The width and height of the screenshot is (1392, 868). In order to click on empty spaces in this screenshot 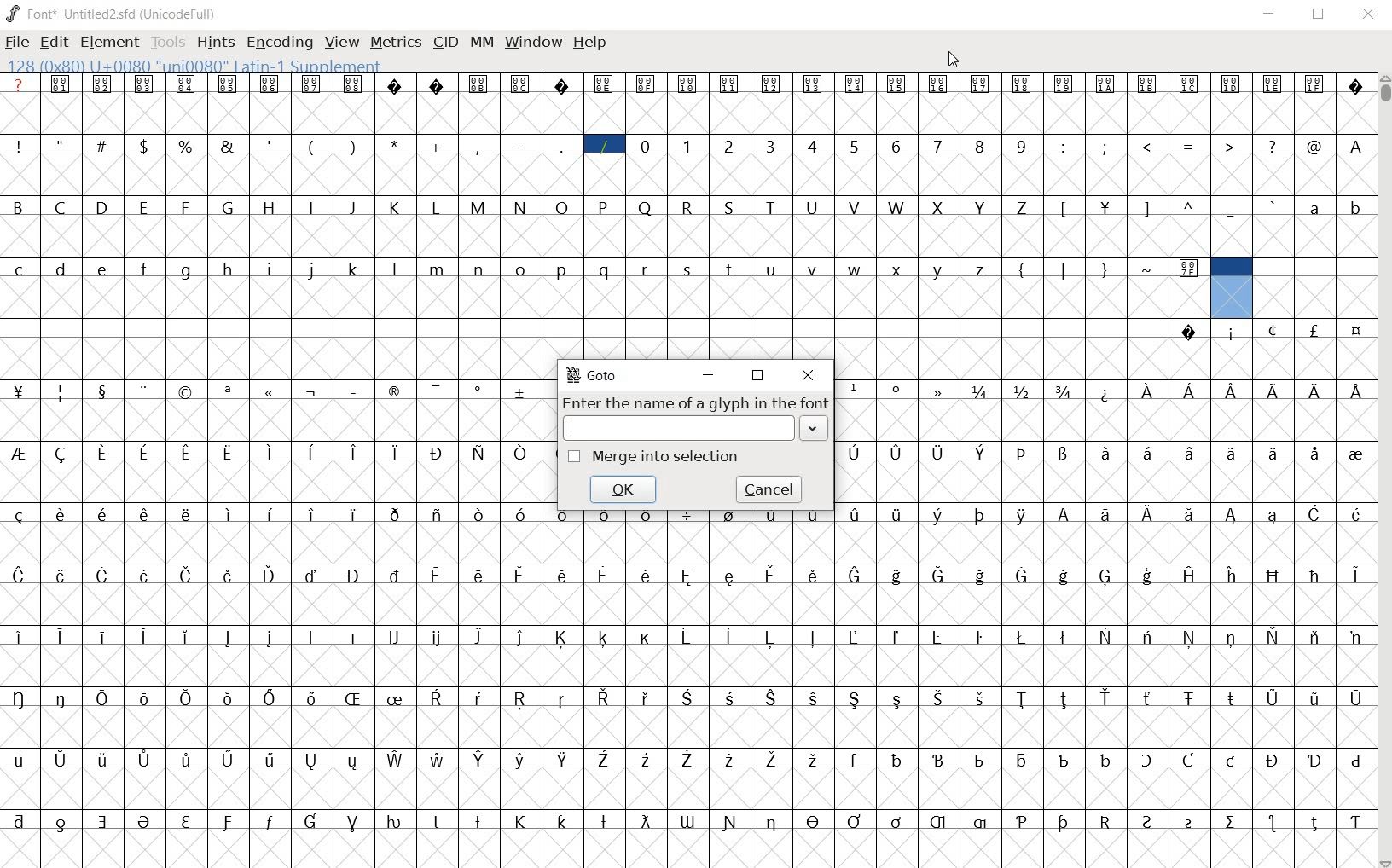, I will do `click(1314, 269)`.